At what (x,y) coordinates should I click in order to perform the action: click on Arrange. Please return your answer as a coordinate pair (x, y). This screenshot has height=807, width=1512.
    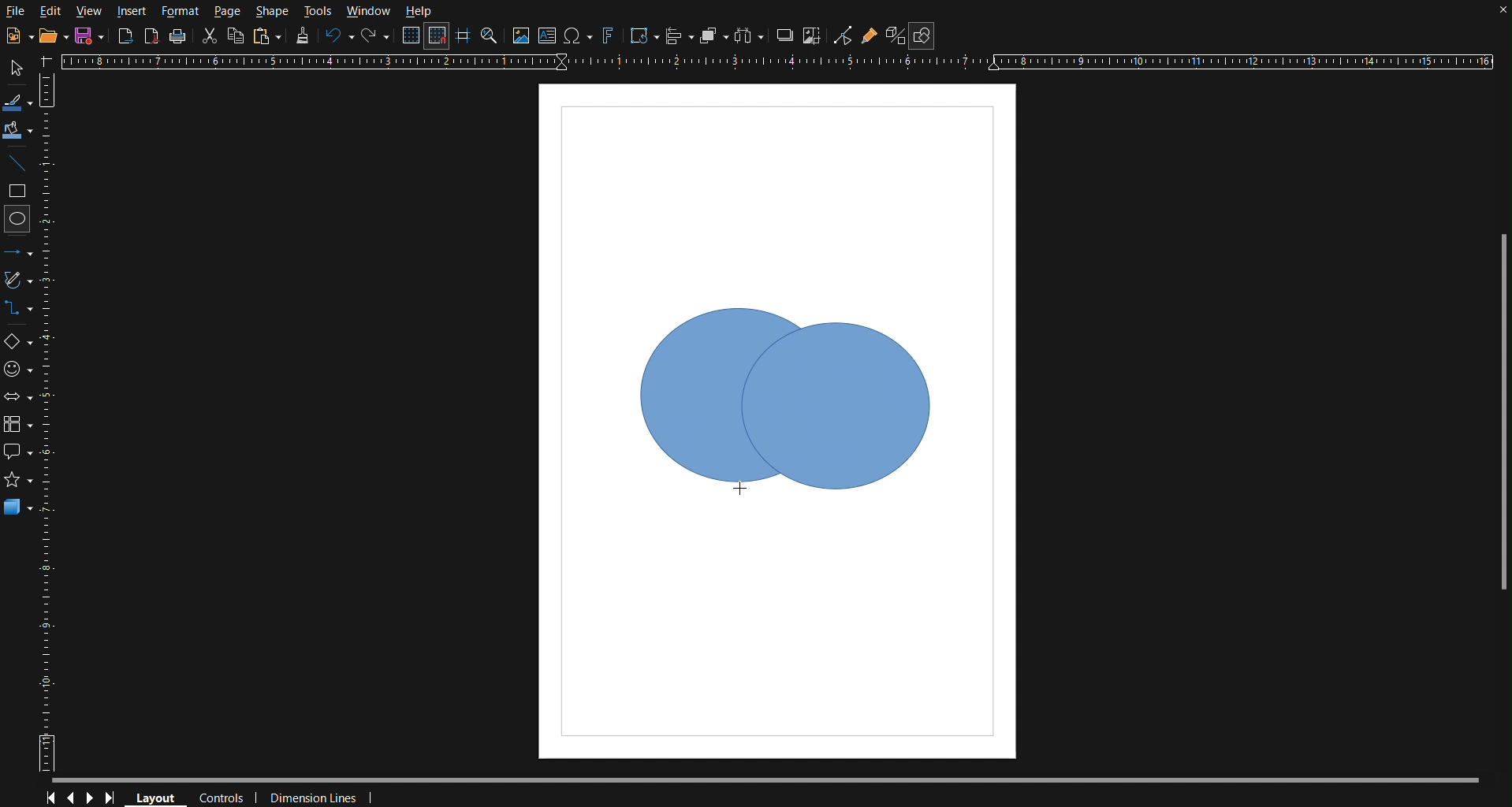
    Looking at the image, I should click on (711, 35).